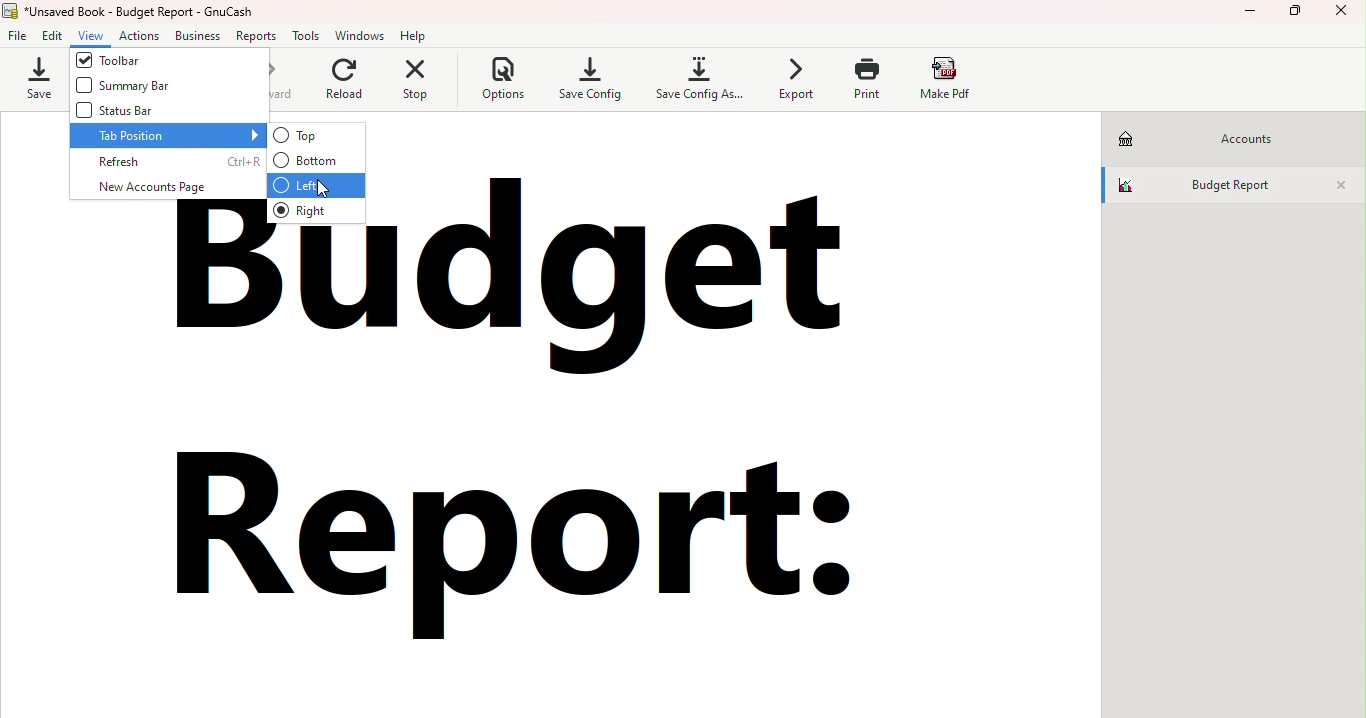 The width and height of the screenshot is (1366, 718). I want to click on Business, so click(196, 36).